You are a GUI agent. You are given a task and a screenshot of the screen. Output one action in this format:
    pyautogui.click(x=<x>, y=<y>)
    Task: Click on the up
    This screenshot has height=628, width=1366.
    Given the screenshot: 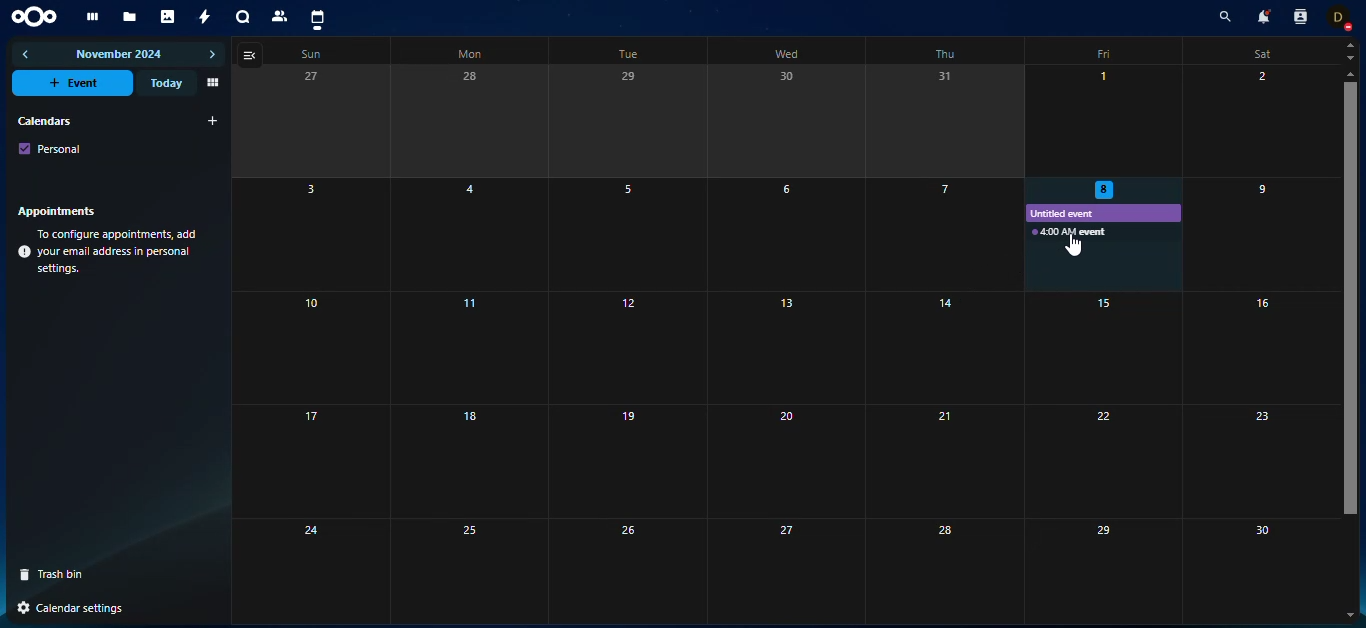 What is the action you would take?
    pyautogui.click(x=1349, y=74)
    